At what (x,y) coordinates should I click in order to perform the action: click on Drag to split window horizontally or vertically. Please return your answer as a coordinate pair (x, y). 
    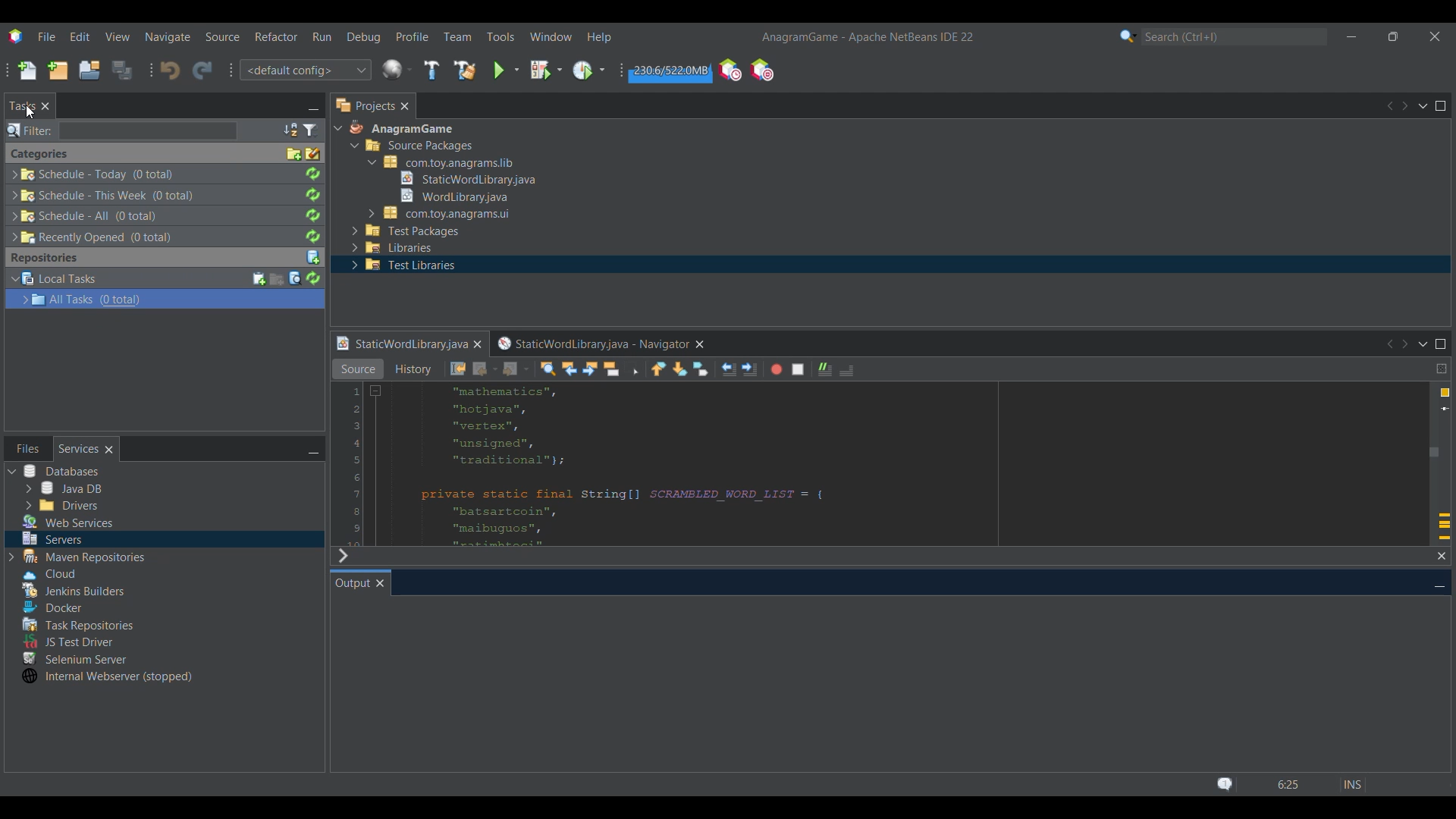
    Looking at the image, I should click on (1442, 369).